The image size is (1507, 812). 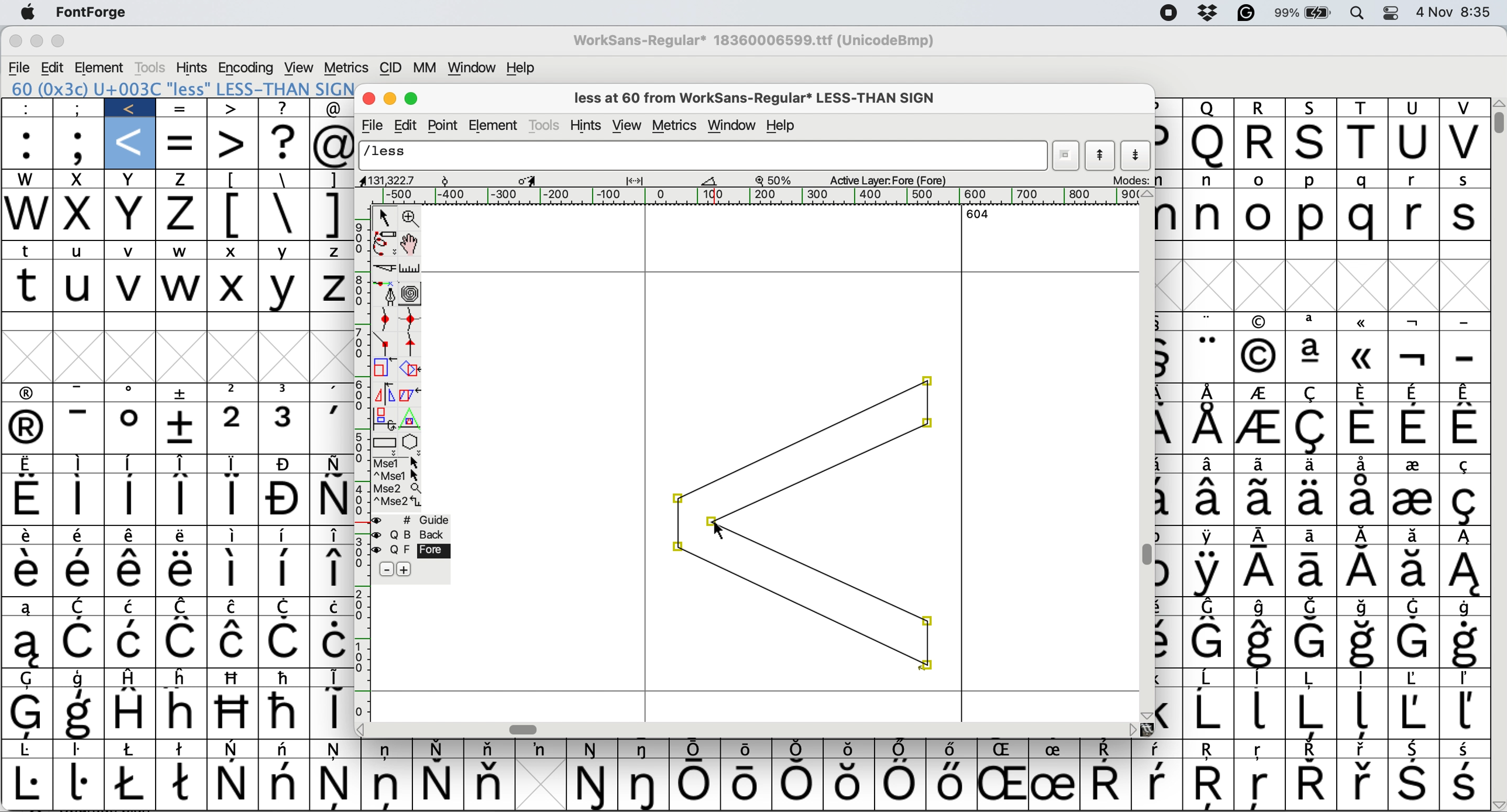 I want to click on vertical scroll bar, so click(x=1145, y=456).